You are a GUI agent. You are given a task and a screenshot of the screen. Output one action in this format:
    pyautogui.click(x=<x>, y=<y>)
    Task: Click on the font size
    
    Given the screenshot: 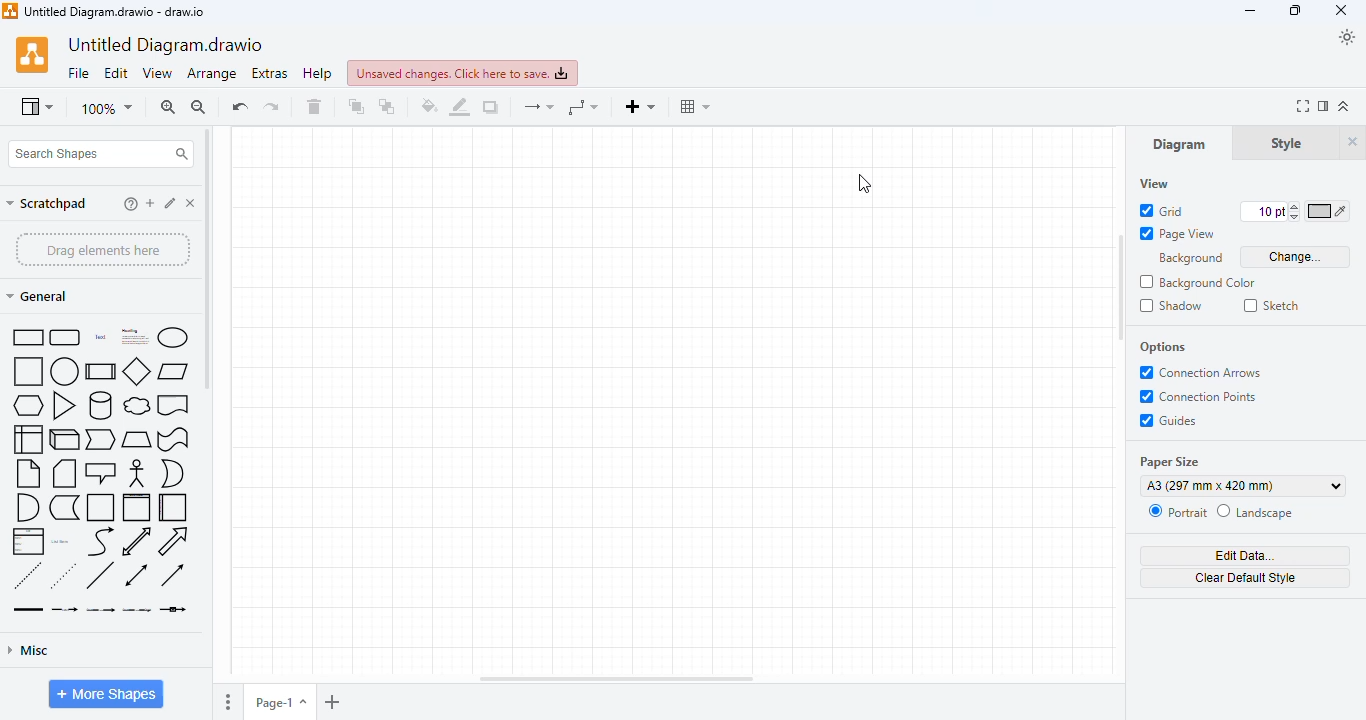 What is the action you would take?
    pyautogui.click(x=1270, y=211)
    